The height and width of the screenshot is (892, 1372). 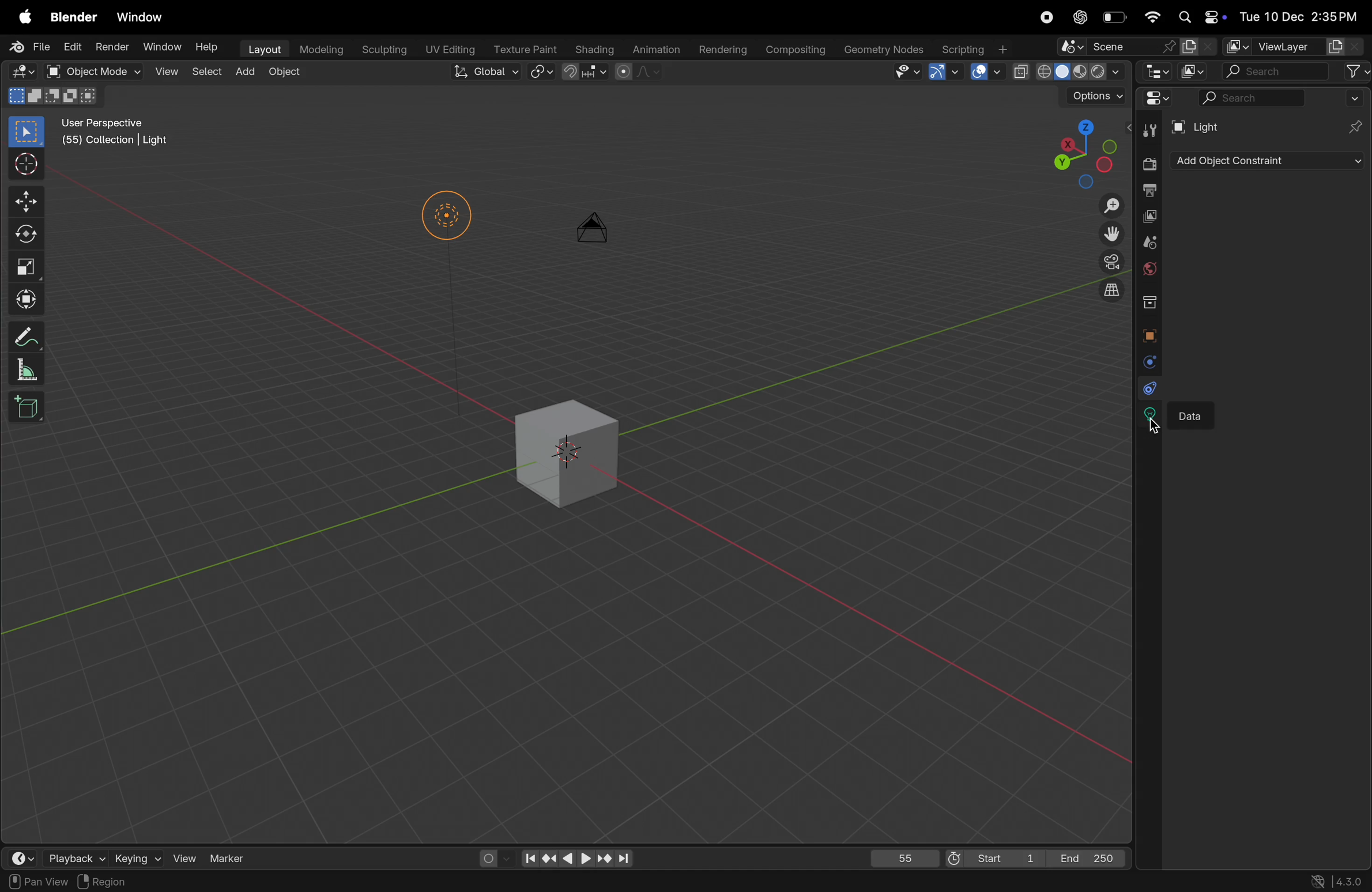 I want to click on Zoom, so click(x=1114, y=207).